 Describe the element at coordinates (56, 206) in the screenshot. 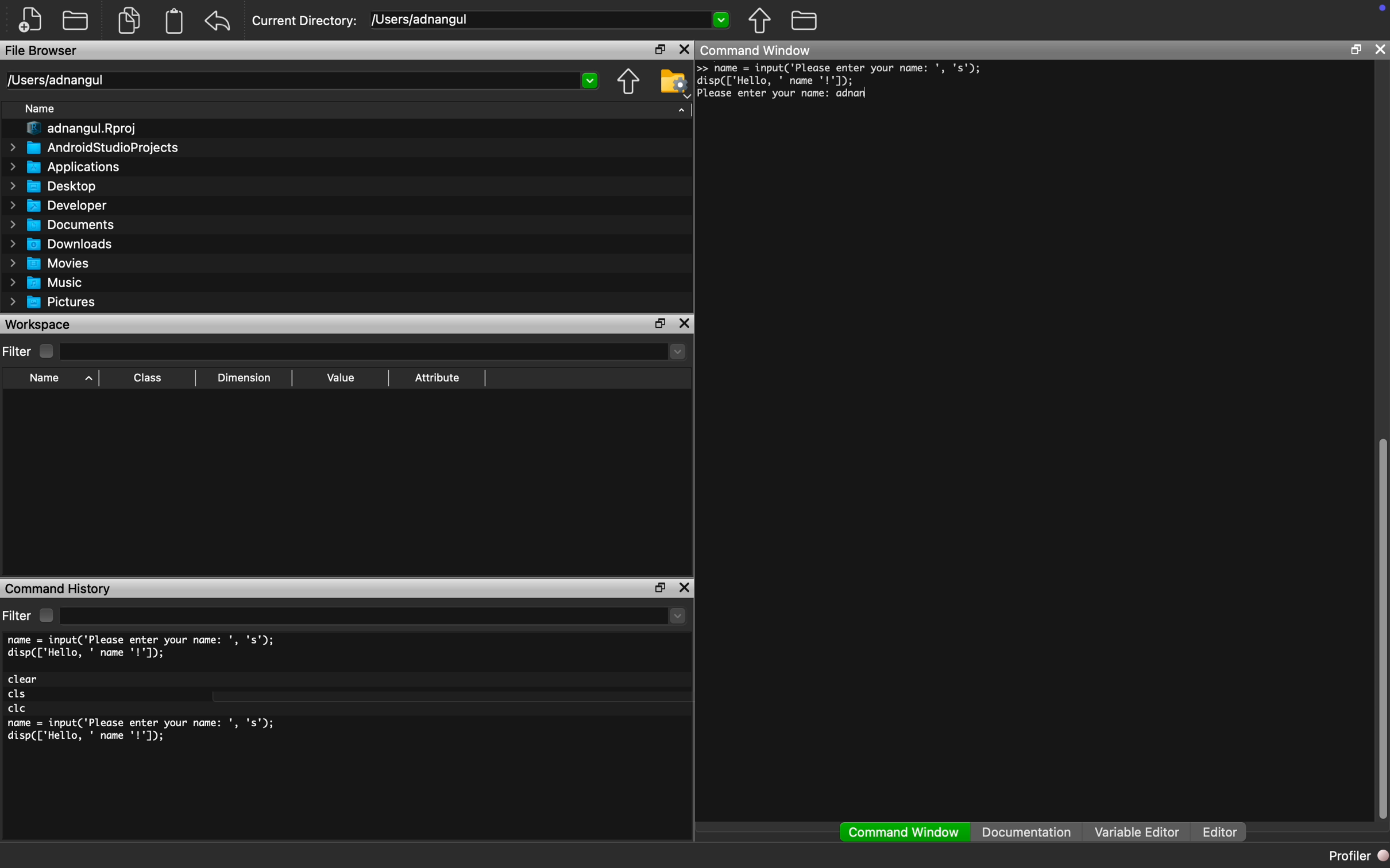

I see `Developer` at that location.